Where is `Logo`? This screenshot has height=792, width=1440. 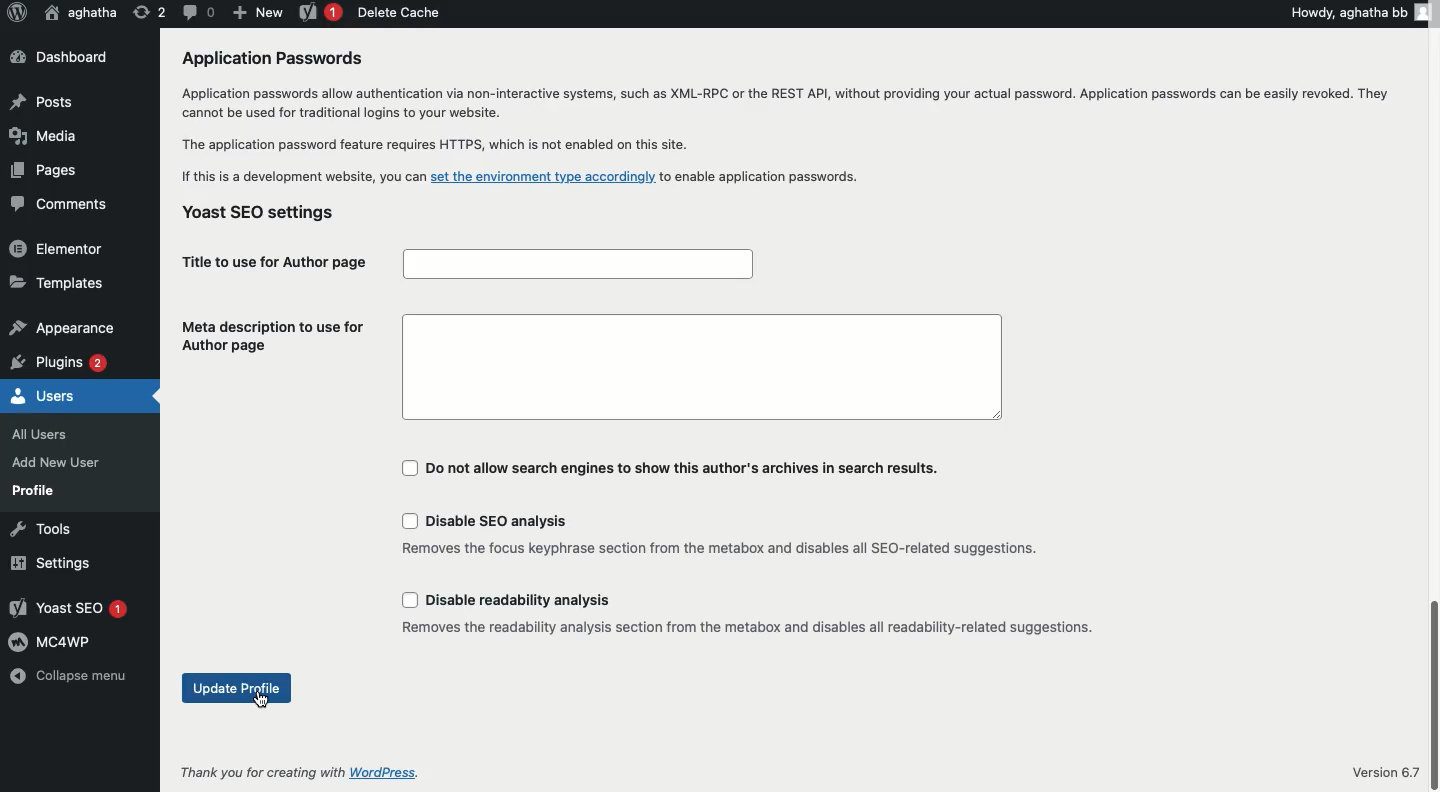
Logo is located at coordinates (16, 13).